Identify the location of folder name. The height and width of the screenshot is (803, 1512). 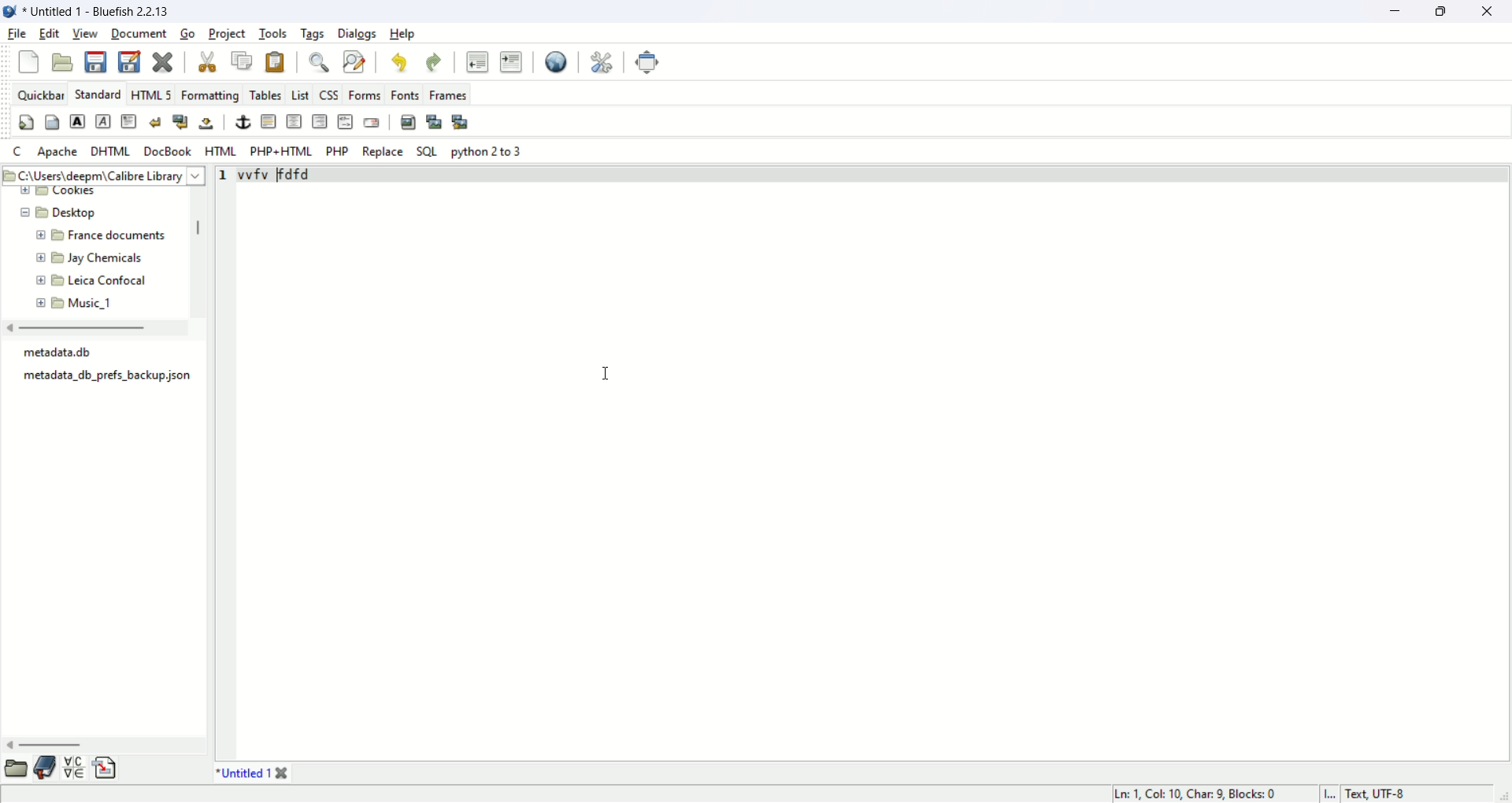
(83, 212).